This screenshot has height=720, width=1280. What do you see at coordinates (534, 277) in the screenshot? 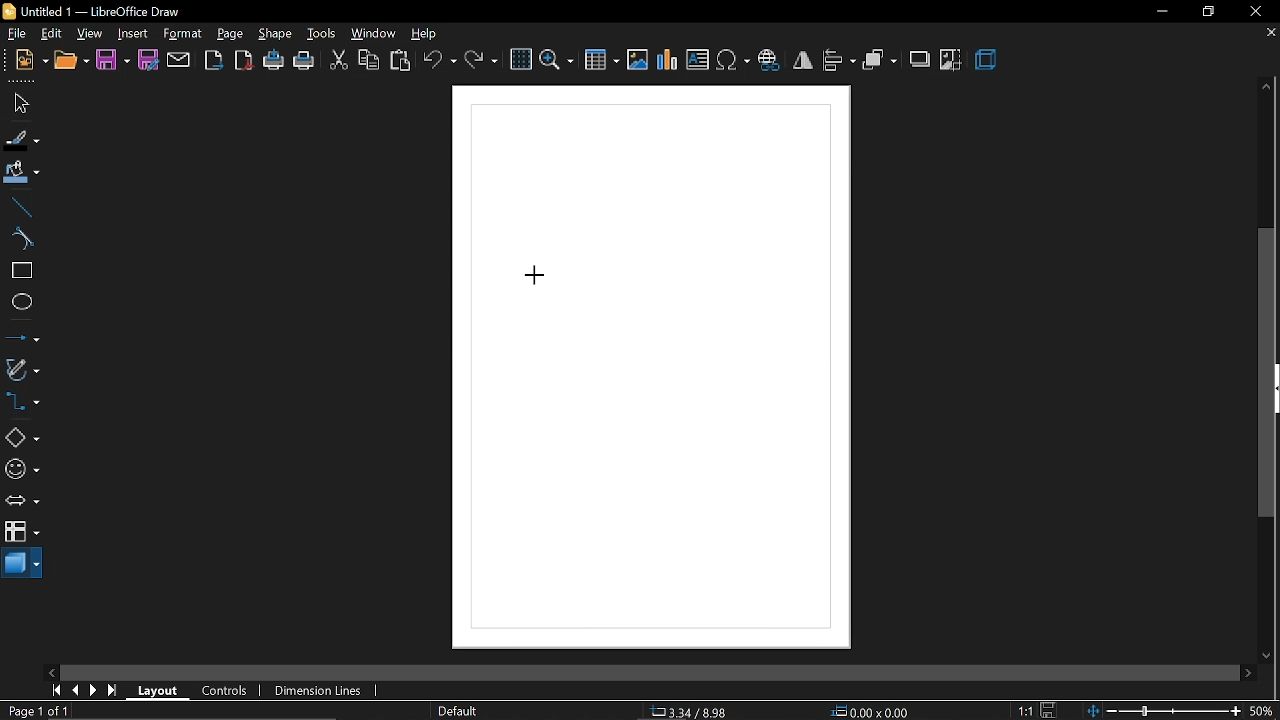
I see `Cursor` at bounding box center [534, 277].